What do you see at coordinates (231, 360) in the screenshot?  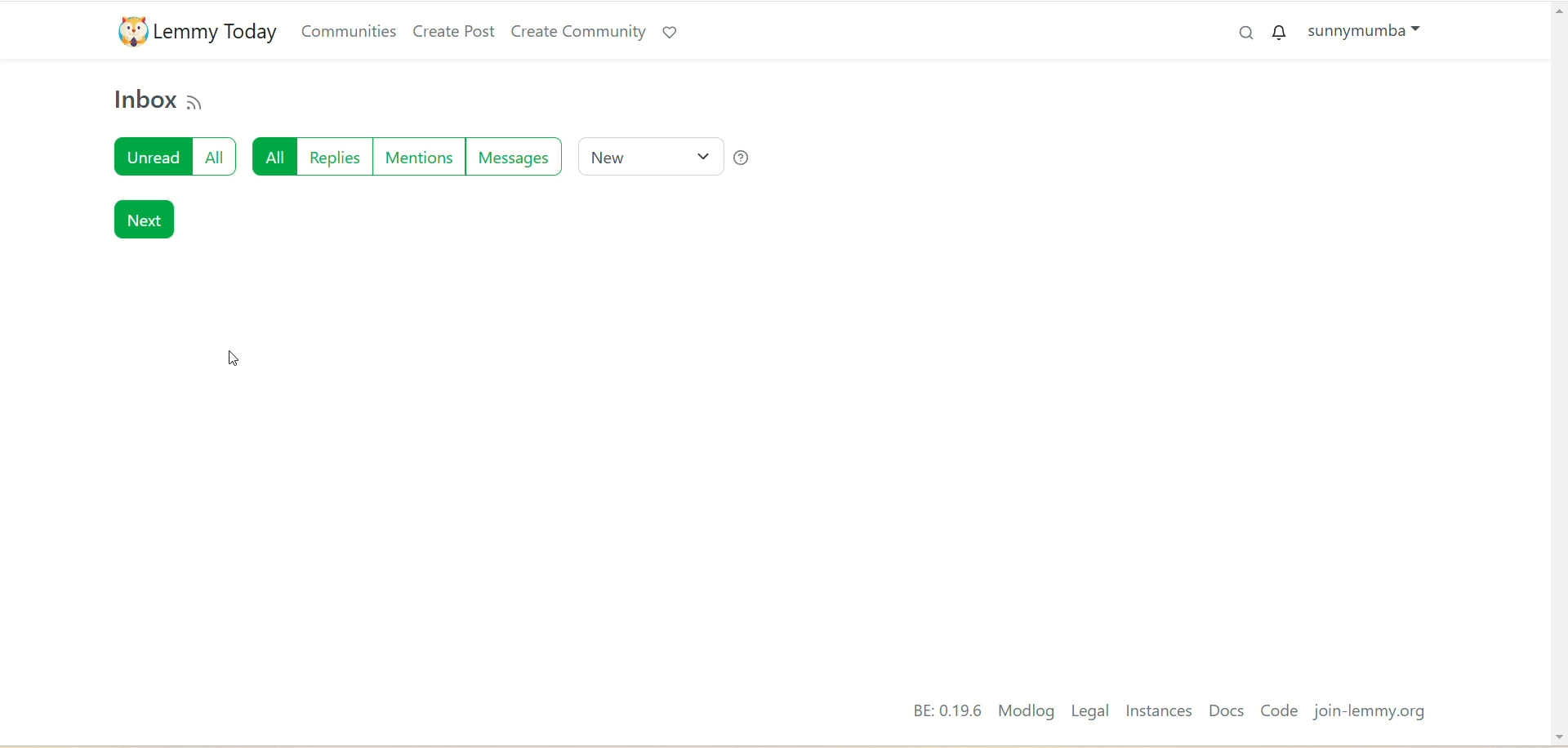 I see `Pointer` at bounding box center [231, 360].